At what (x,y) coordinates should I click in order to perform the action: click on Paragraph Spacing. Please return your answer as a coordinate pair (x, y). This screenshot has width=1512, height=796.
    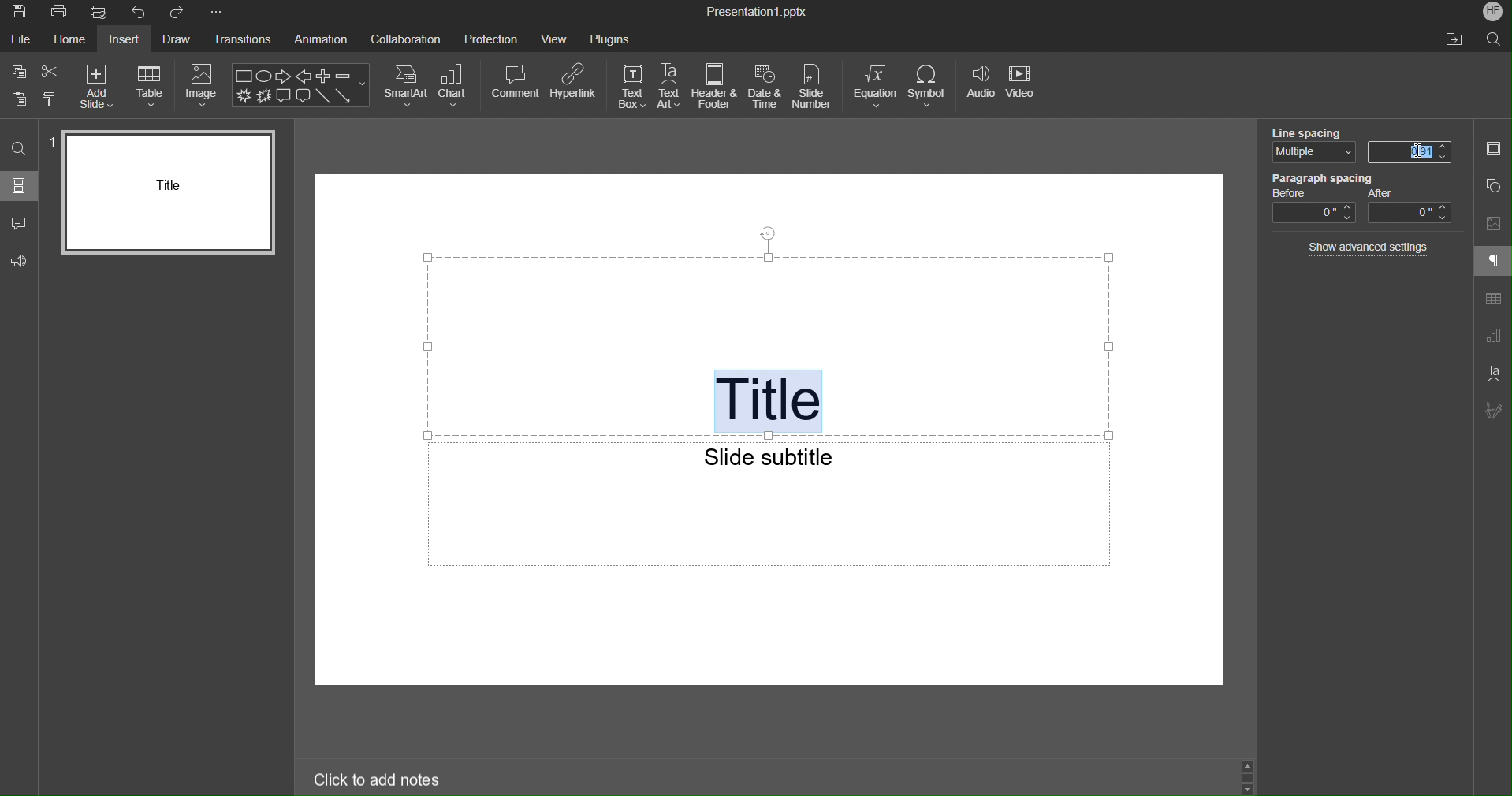
    Looking at the image, I should click on (1323, 178).